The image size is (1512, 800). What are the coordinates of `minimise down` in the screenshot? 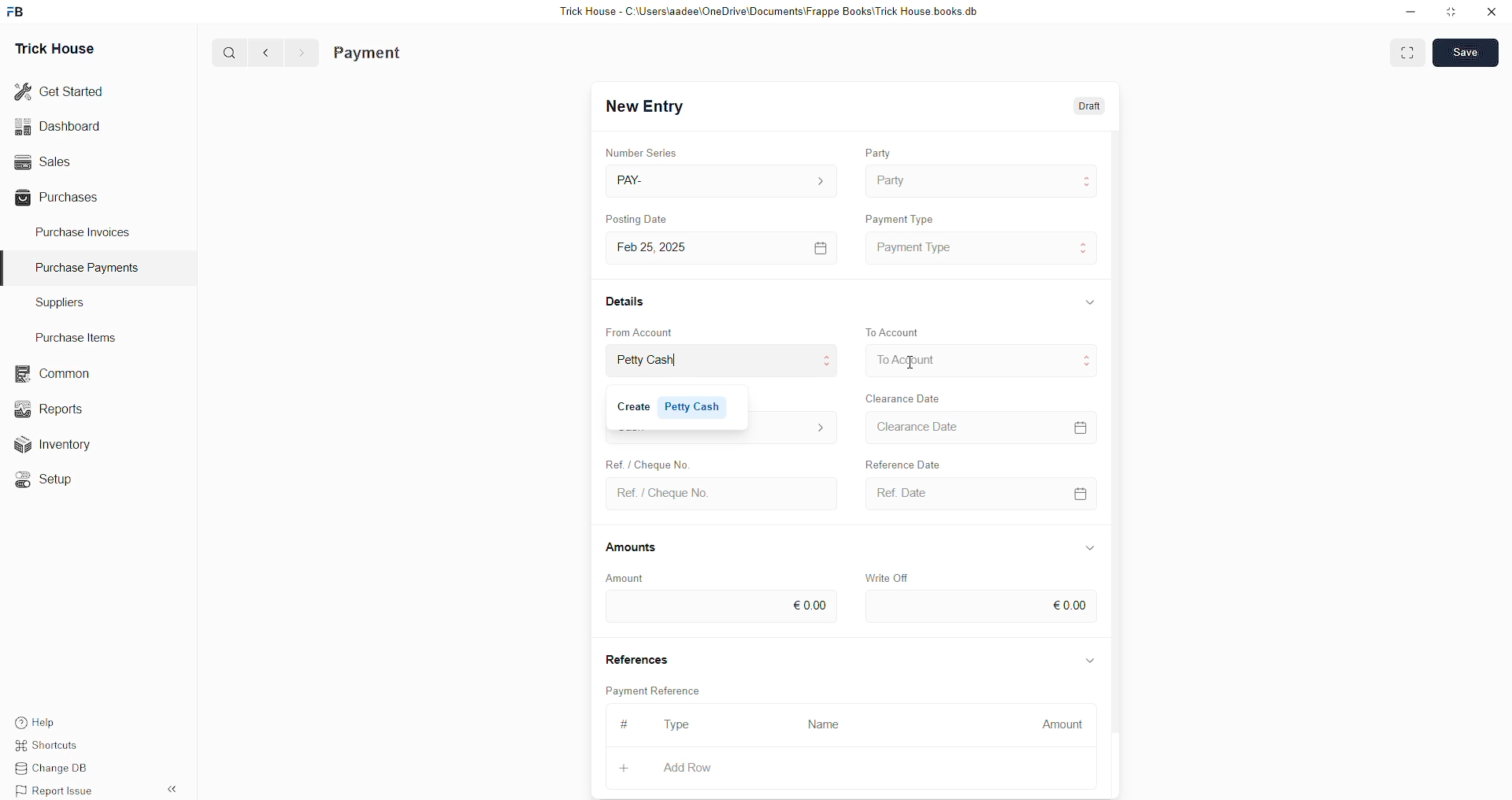 It's located at (1408, 12).